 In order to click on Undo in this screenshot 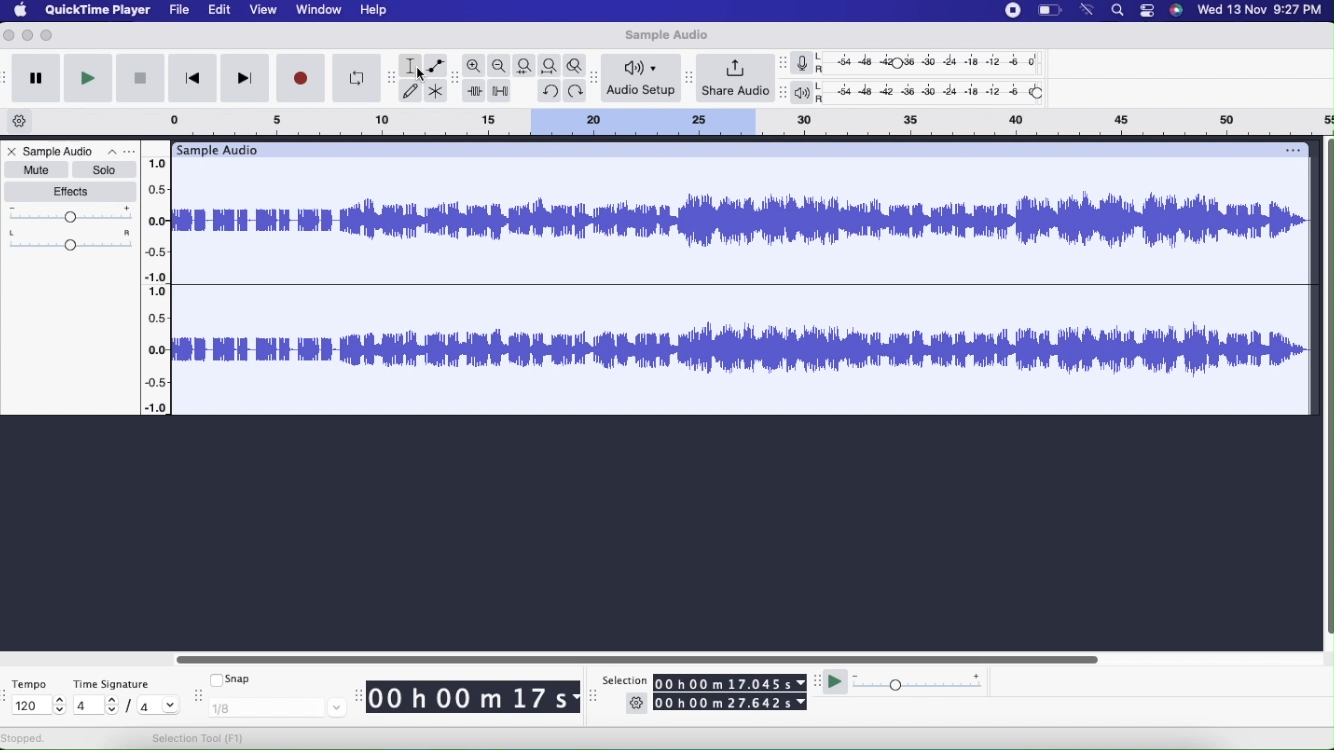, I will do `click(549, 89)`.